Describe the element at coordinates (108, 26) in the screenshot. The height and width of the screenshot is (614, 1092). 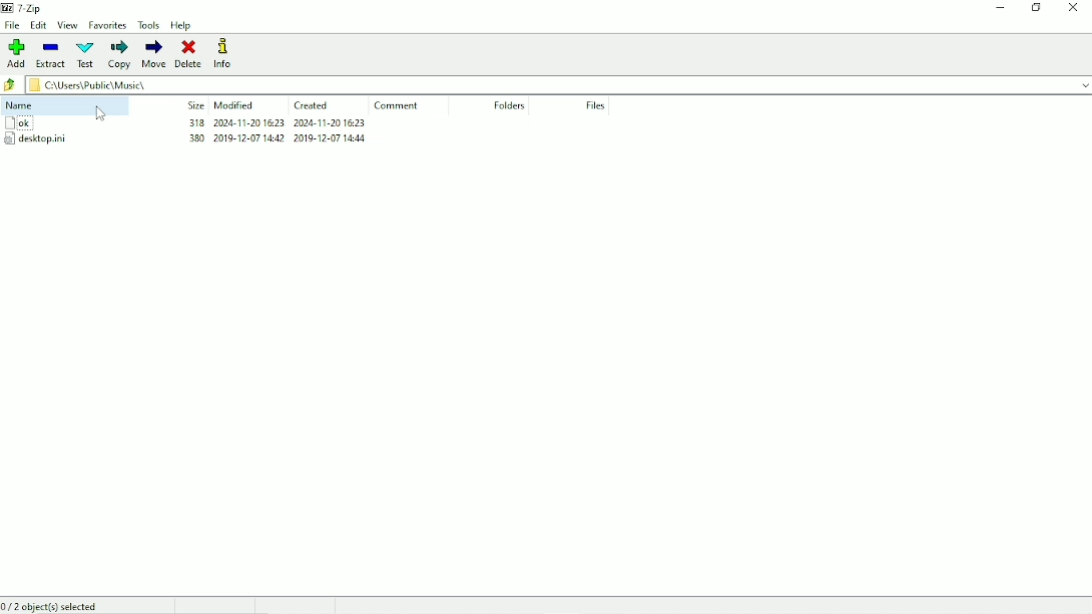
I see `Favorites` at that location.